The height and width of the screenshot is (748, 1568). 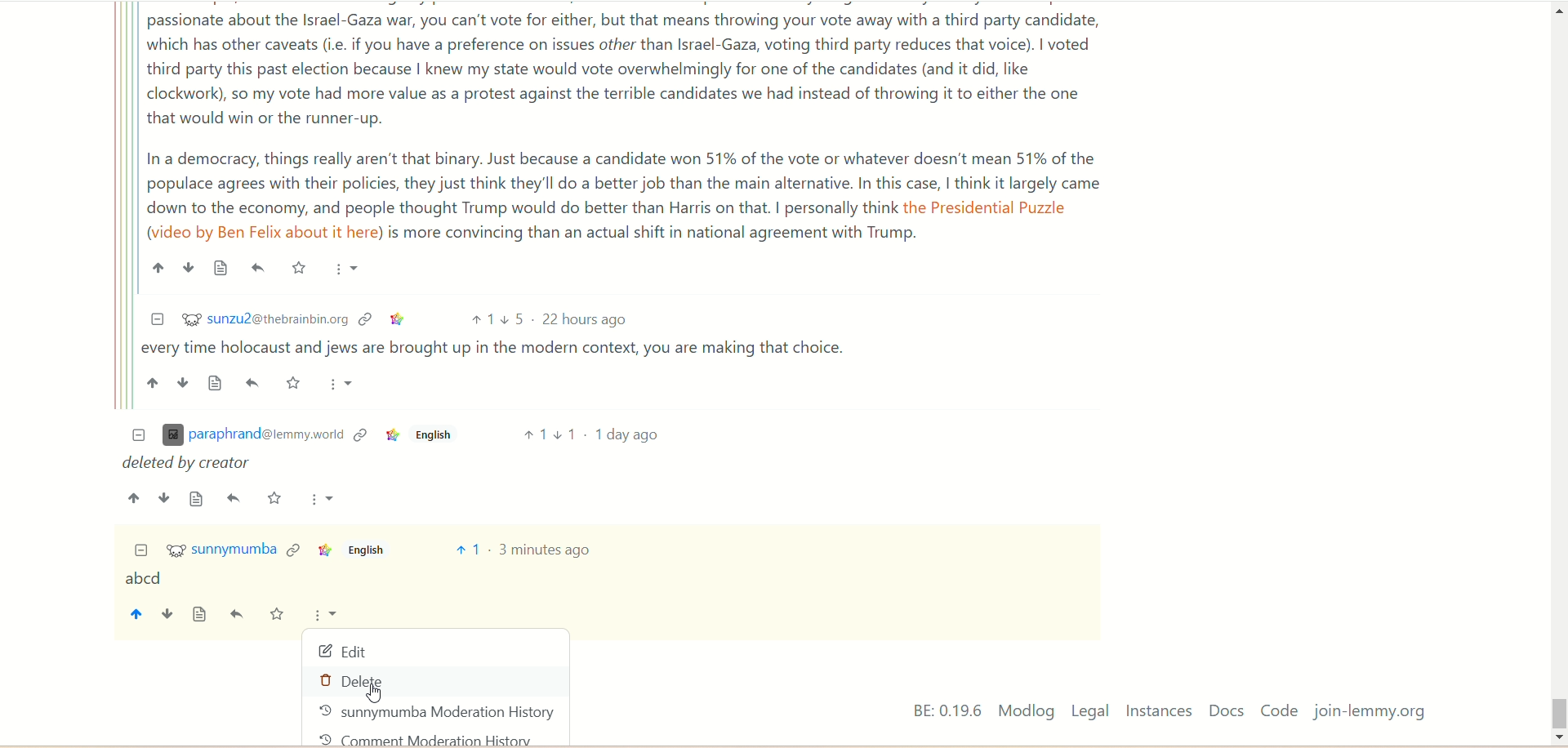 What do you see at coordinates (481, 320) in the screenshot?
I see `Upvote` at bounding box center [481, 320].